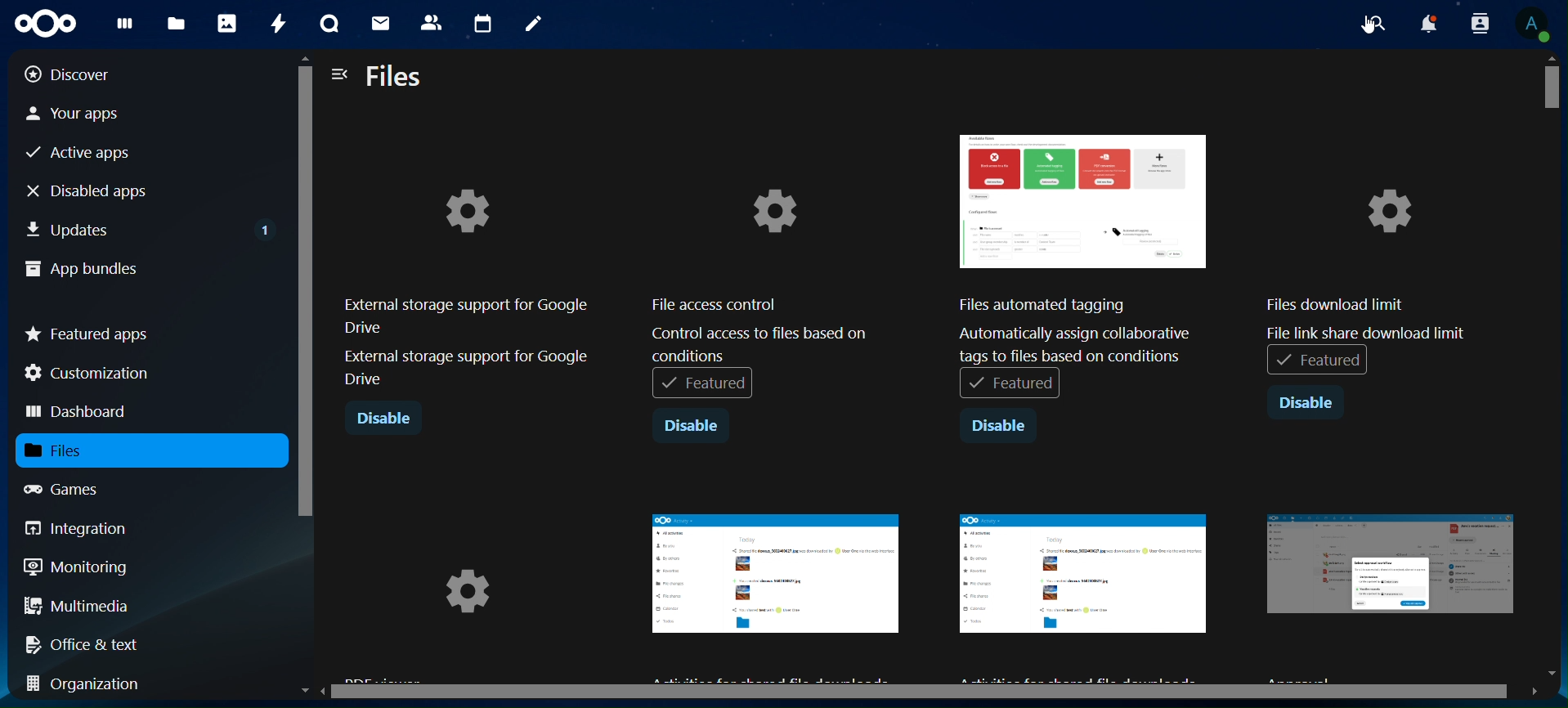 This screenshot has width=1568, height=708. Describe the element at coordinates (89, 112) in the screenshot. I see `your apps` at that location.